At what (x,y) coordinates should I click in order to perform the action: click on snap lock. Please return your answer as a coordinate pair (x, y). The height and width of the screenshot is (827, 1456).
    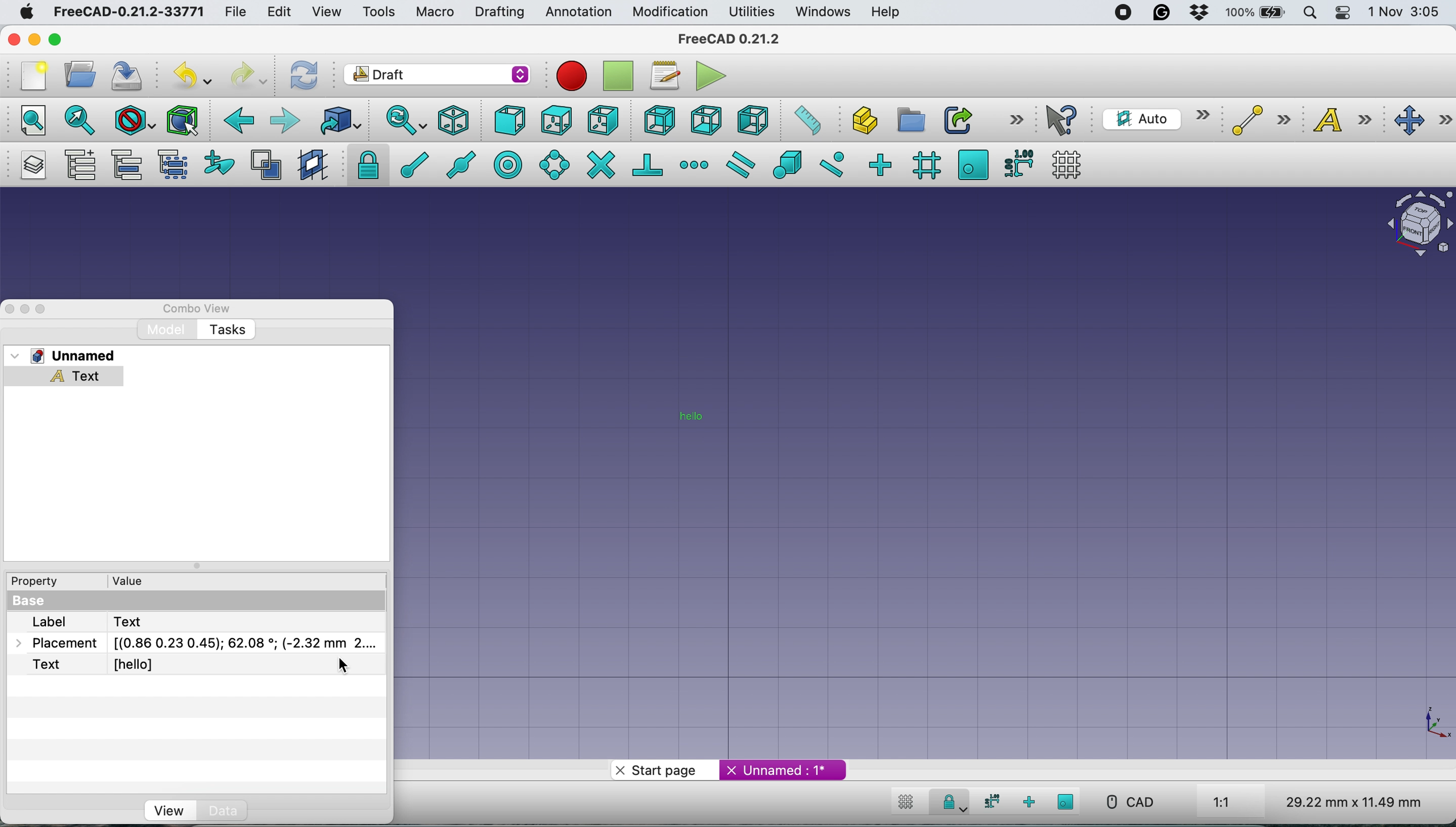
    Looking at the image, I should click on (363, 165).